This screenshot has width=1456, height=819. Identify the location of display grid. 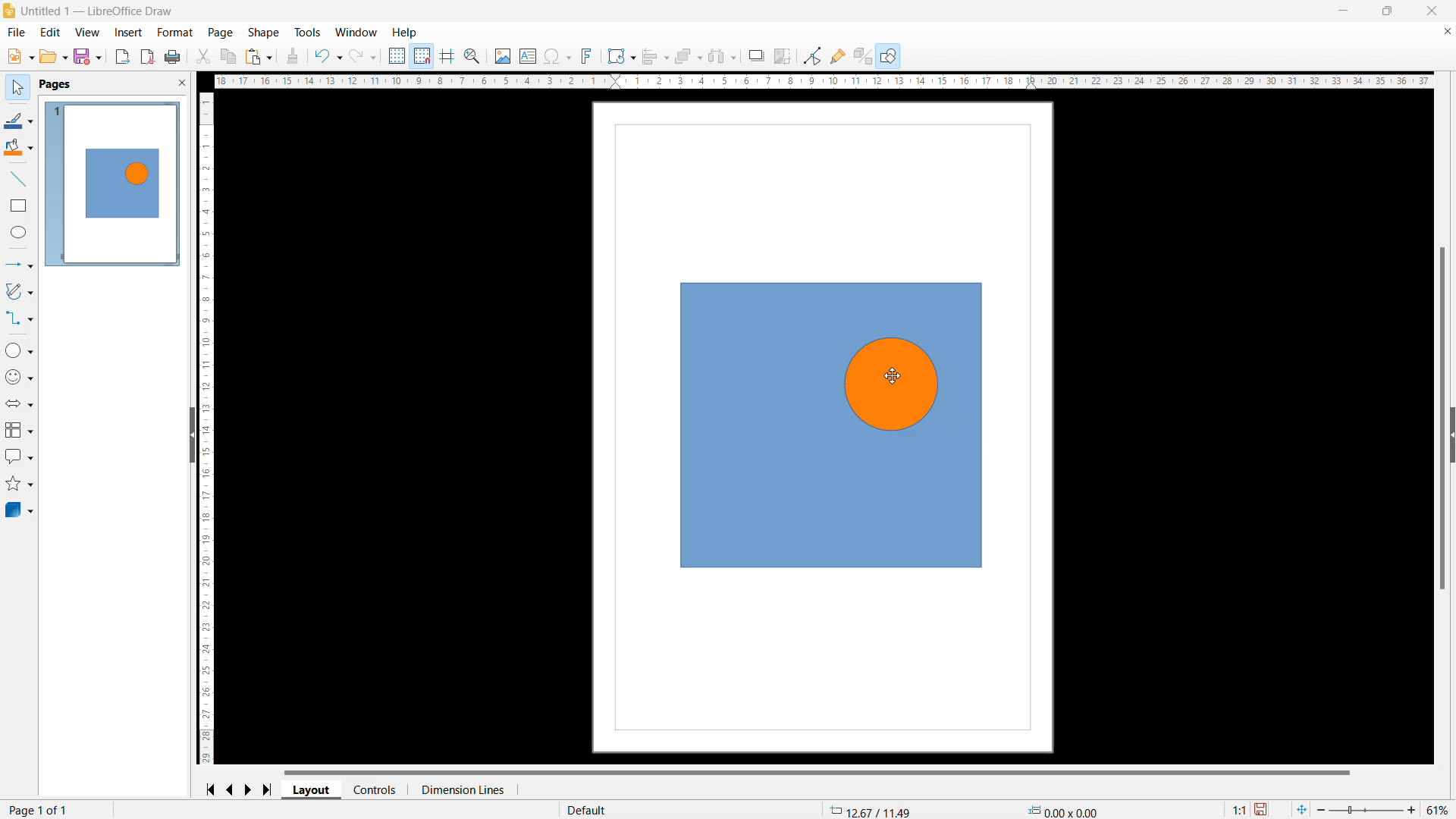
(396, 56).